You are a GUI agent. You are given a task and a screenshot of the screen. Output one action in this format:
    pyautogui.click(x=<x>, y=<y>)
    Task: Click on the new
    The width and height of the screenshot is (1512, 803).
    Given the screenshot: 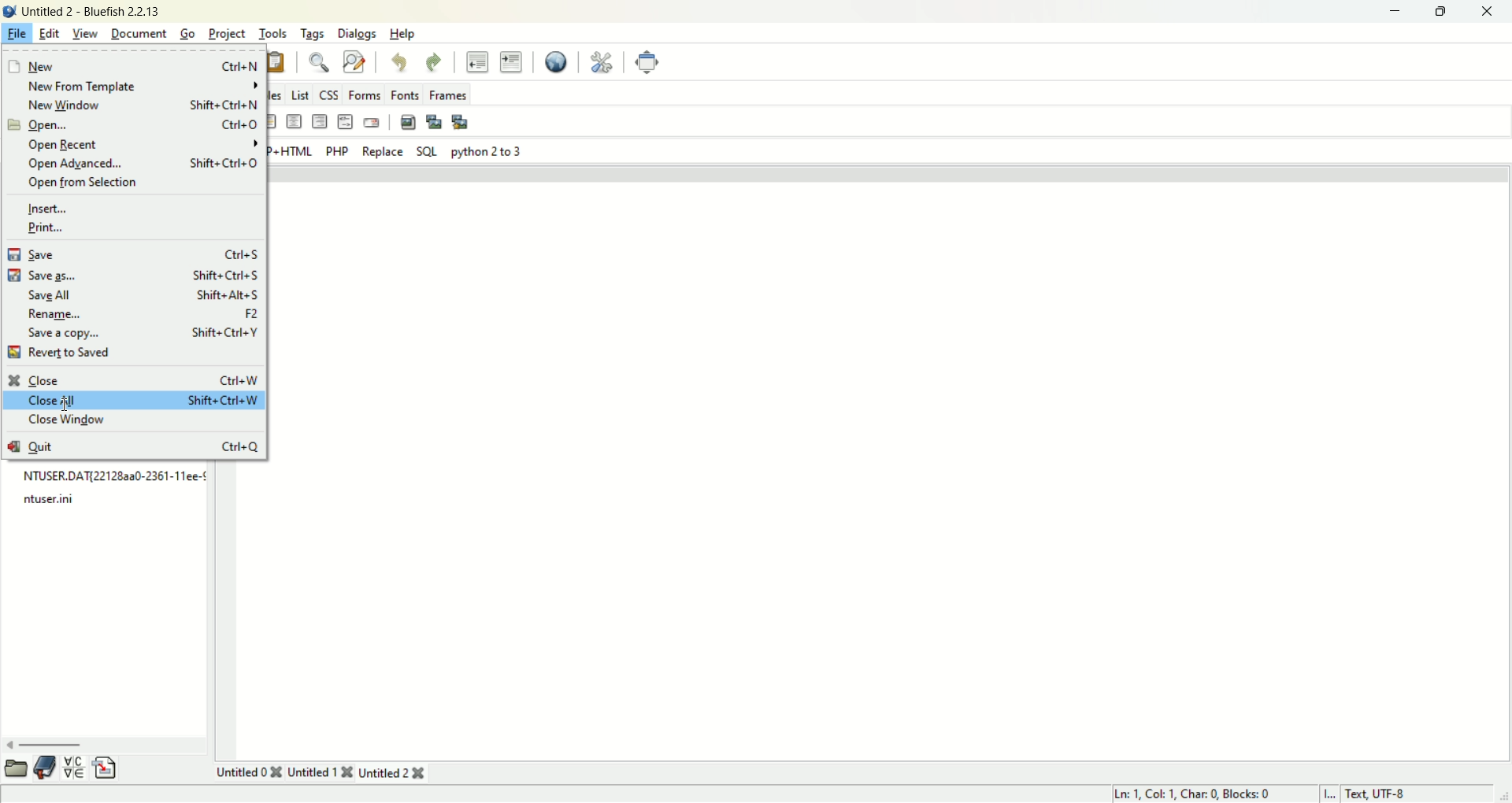 What is the action you would take?
    pyautogui.click(x=131, y=65)
    